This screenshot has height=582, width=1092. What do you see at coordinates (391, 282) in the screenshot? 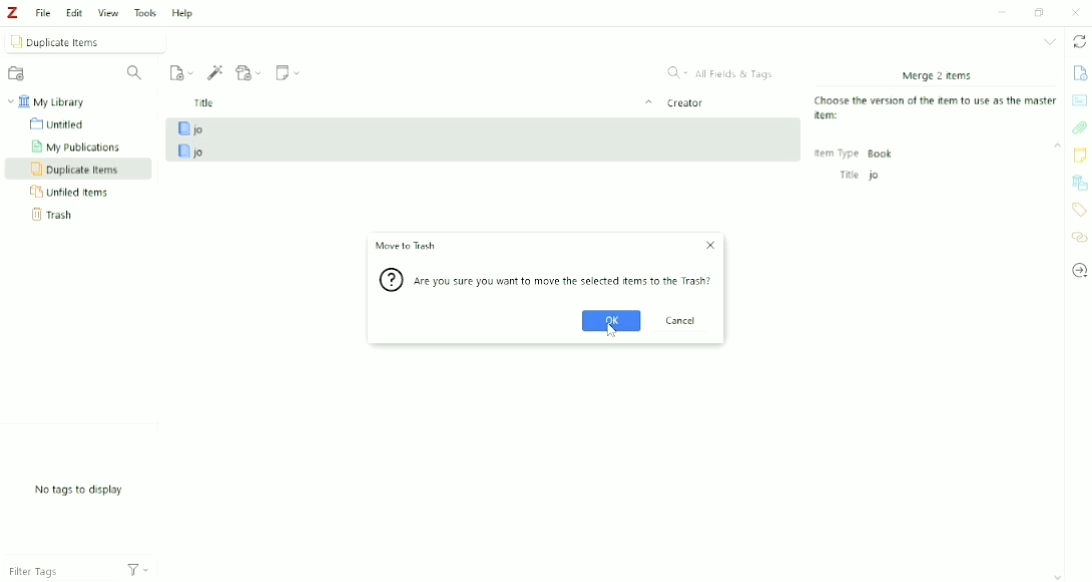
I see `Question Icon` at bounding box center [391, 282].